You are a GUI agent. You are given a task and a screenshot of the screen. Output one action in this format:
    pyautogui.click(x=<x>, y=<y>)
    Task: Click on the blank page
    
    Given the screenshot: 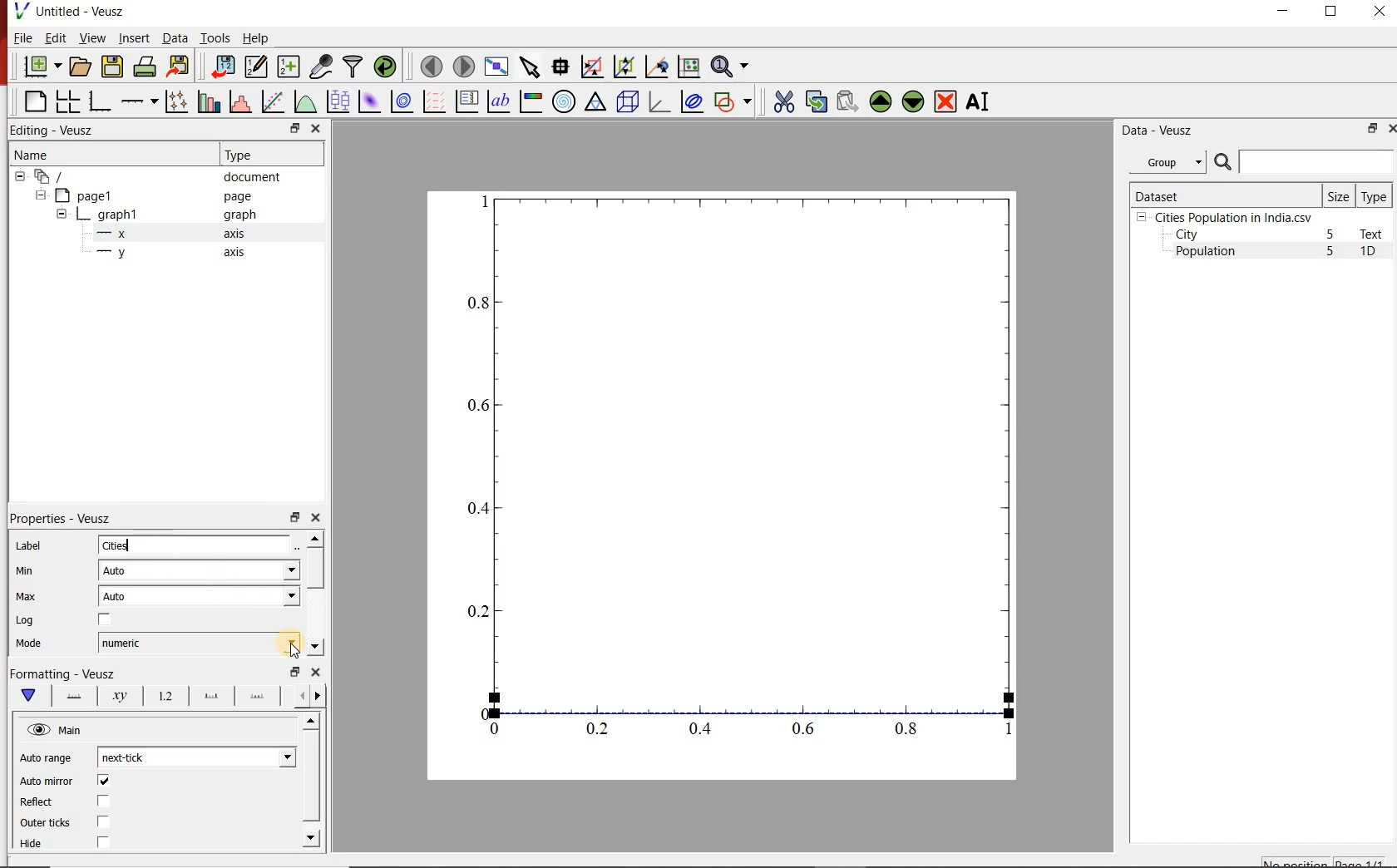 What is the action you would take?
    pyautogui.click(x=33, y=102)
    